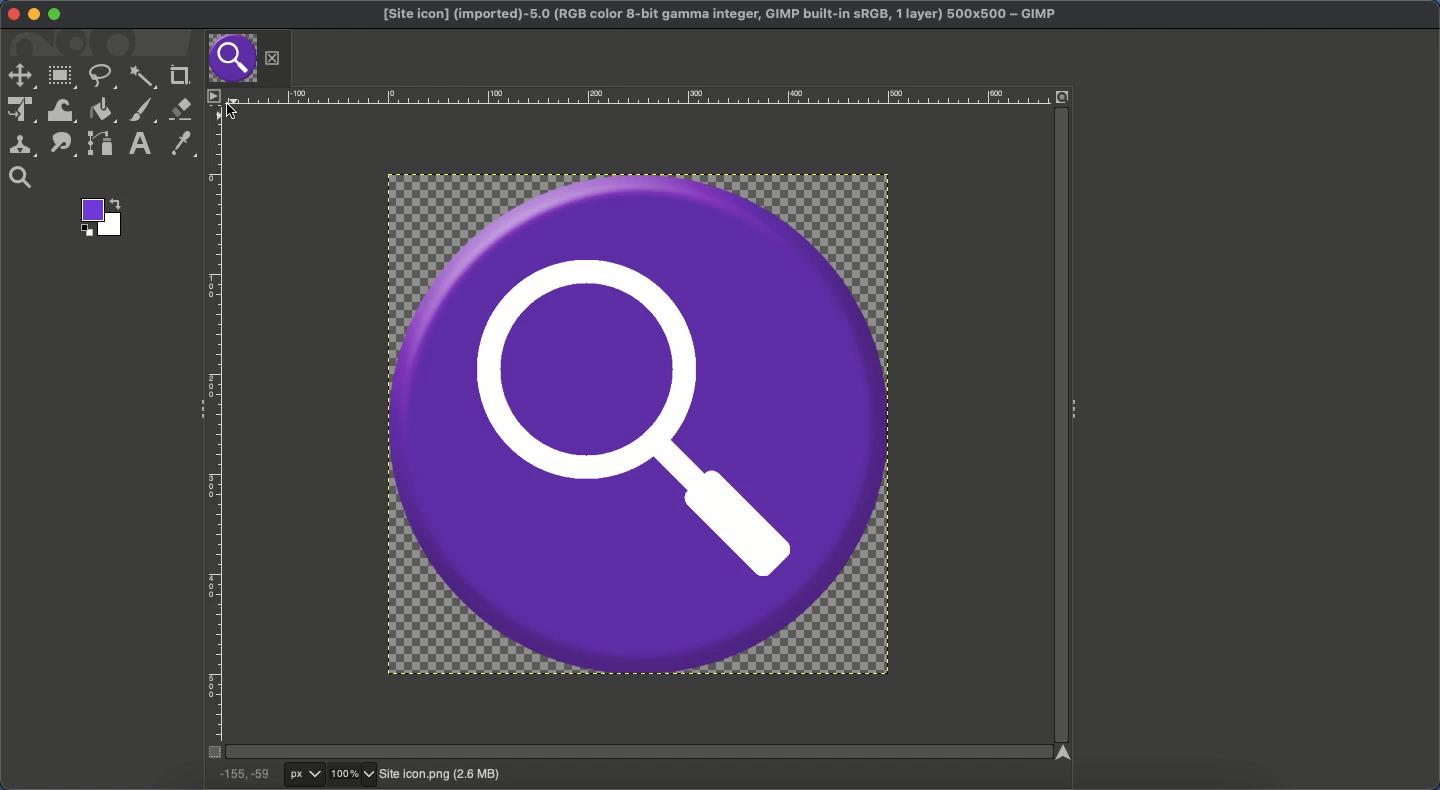 This screenshot has height=790, width=1440. I want to click on Coordinates, so click(243, 774).